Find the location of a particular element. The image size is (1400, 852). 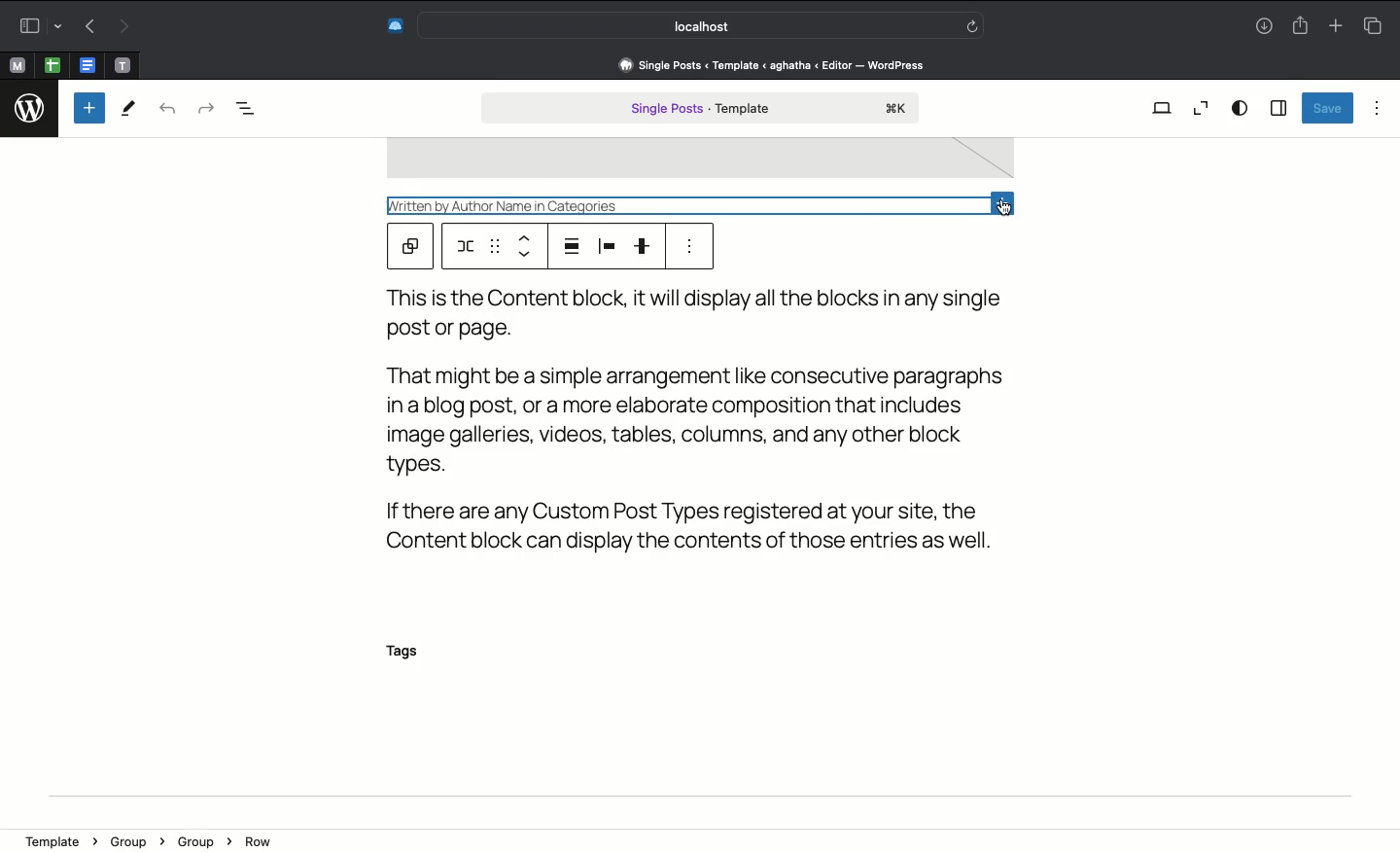

Tabs is located at coordinates (1372, 25).